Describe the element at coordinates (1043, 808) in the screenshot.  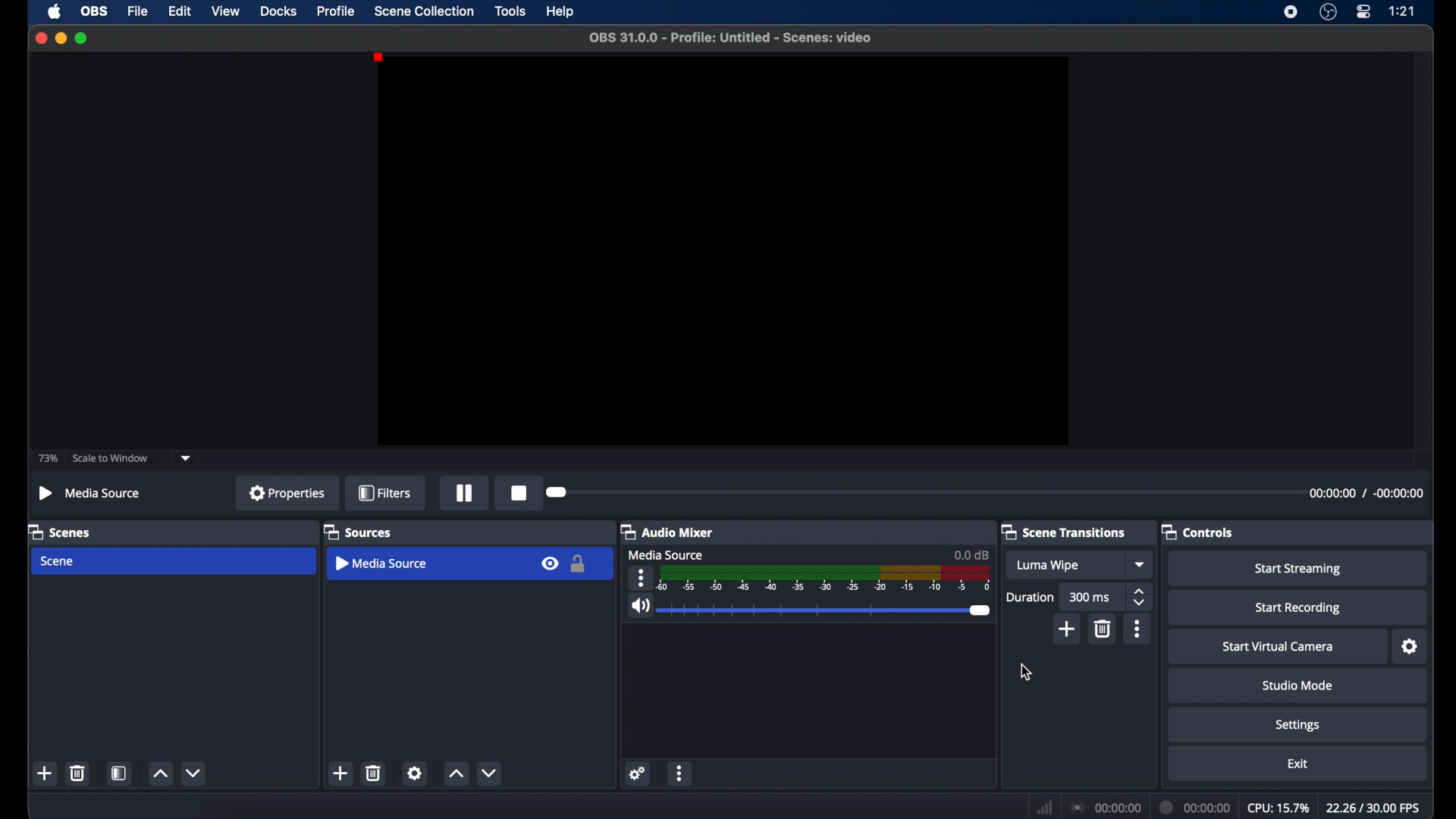
I see `network` at that location.